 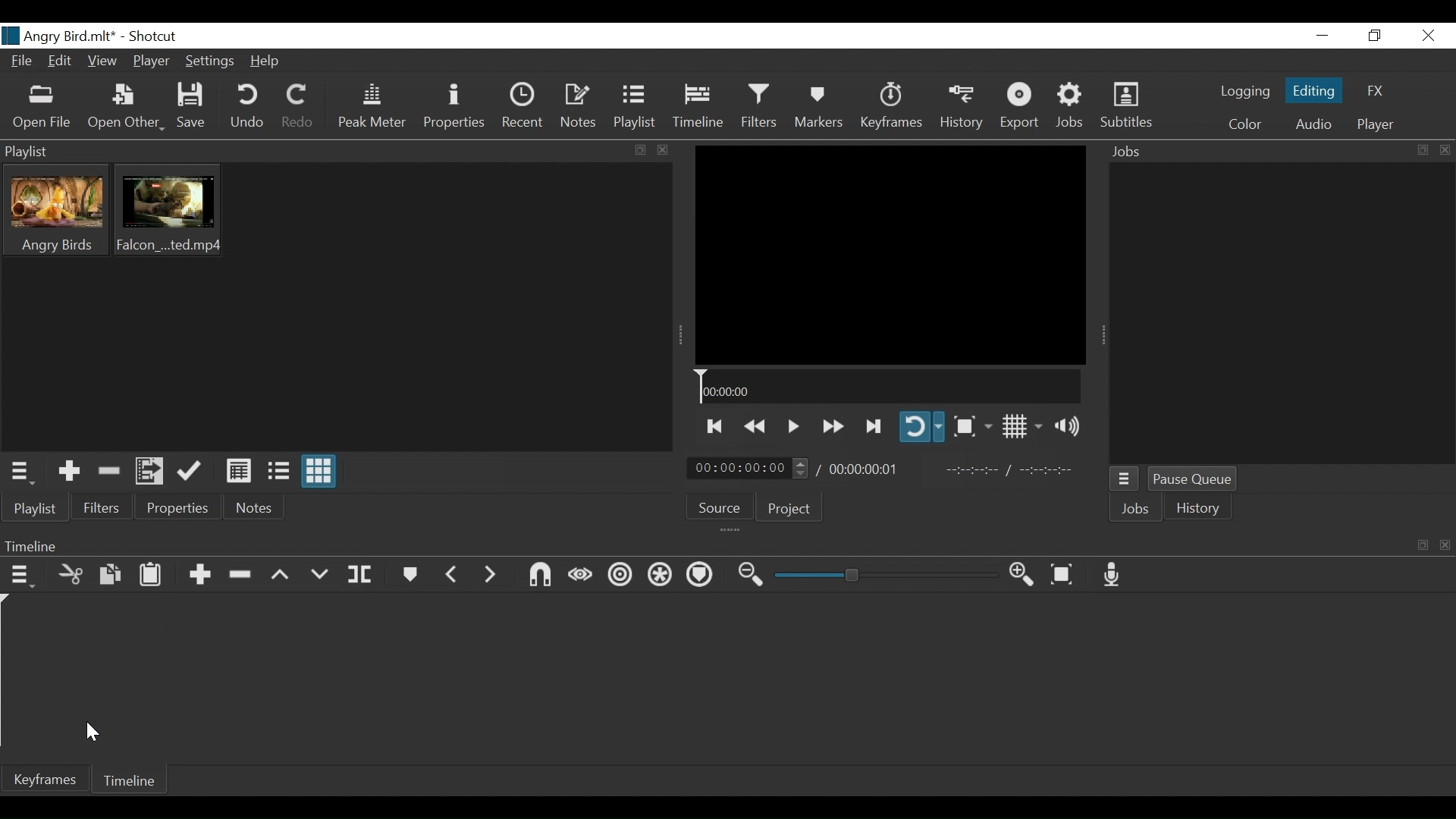 What do you see at coordinates (1312, 91) in the screenshot?
I see `Editing` at bounding box center [1312, 91].